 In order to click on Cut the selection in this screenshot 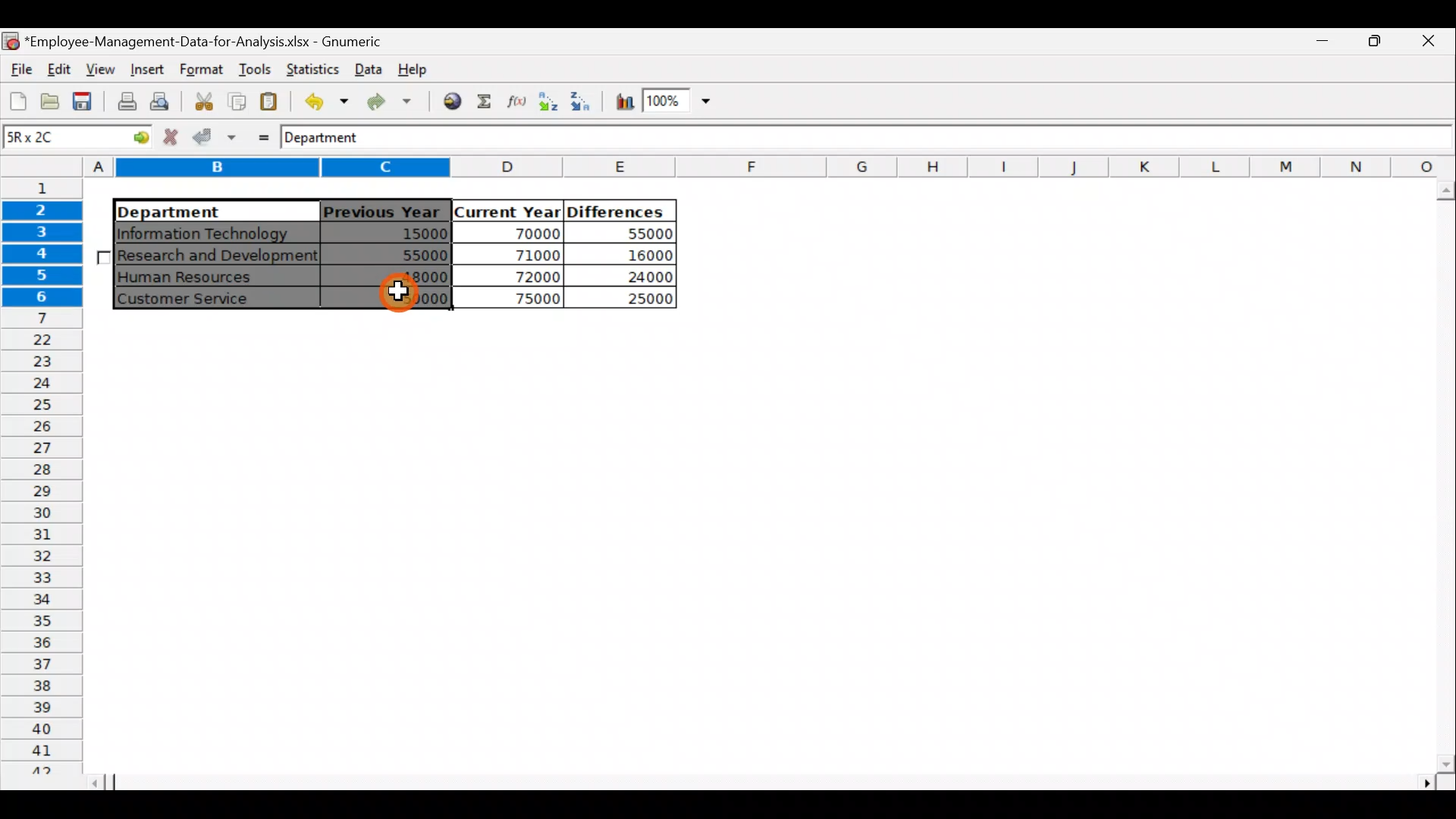, I will do `click(203, 99)`.